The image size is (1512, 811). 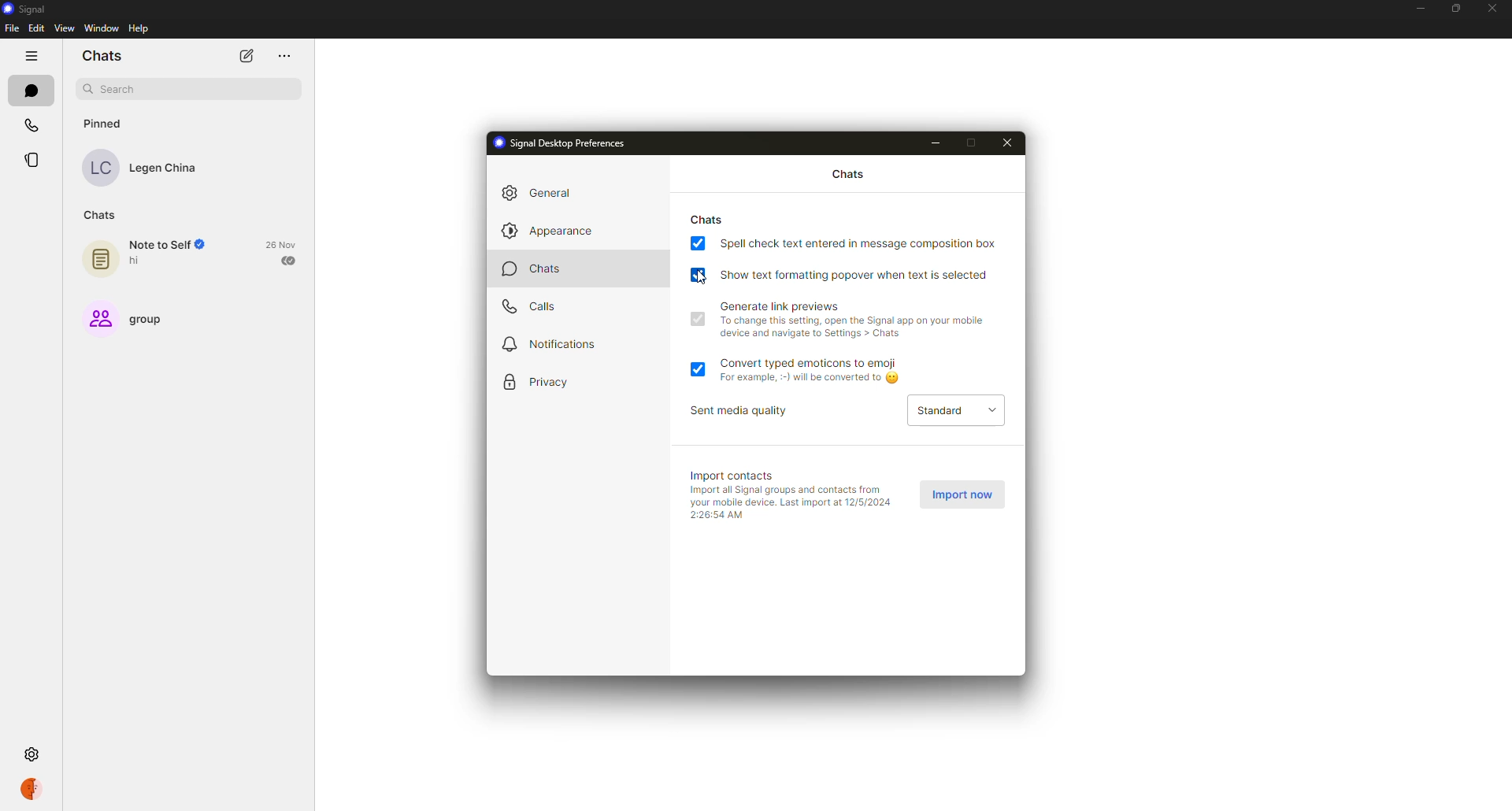 What do you see at coordinates (696, 366) in the screenshot?
I see `enabled` at bounding box center [696, 366].